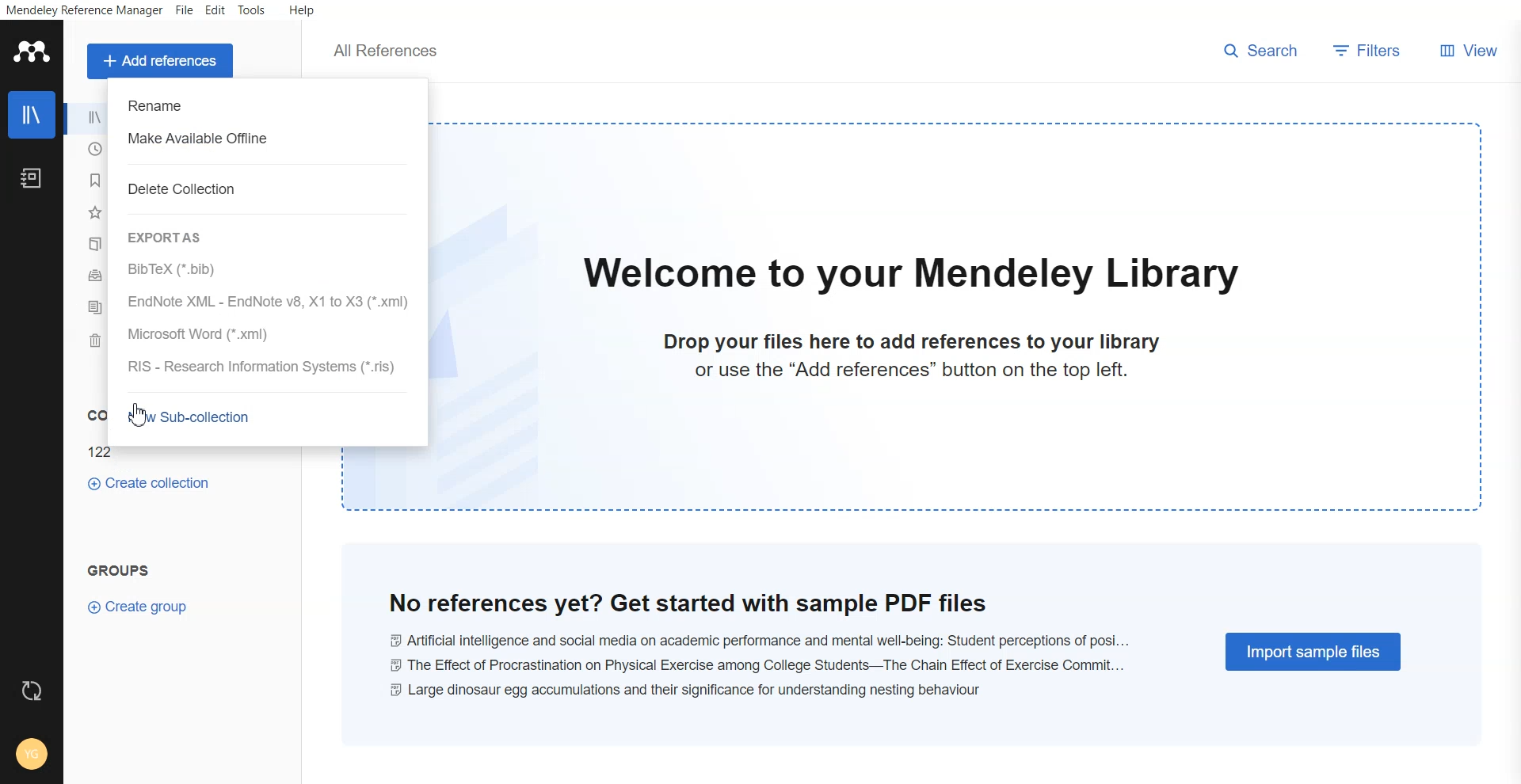  What do you see at coordinates (260, 366) in the screenshot?
I see `RIS` at bounding box center [260, 366].